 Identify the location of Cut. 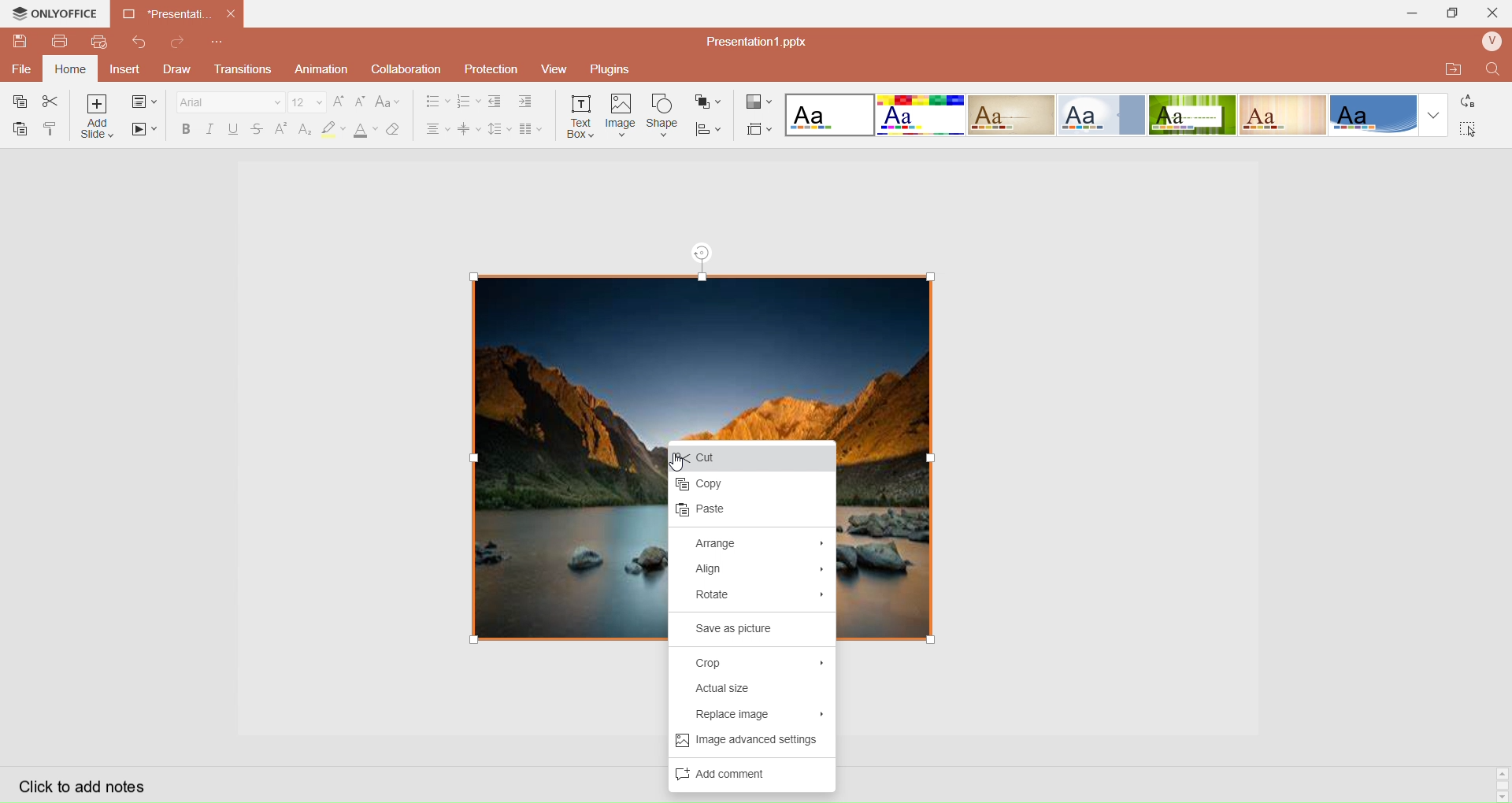
(49, 101).